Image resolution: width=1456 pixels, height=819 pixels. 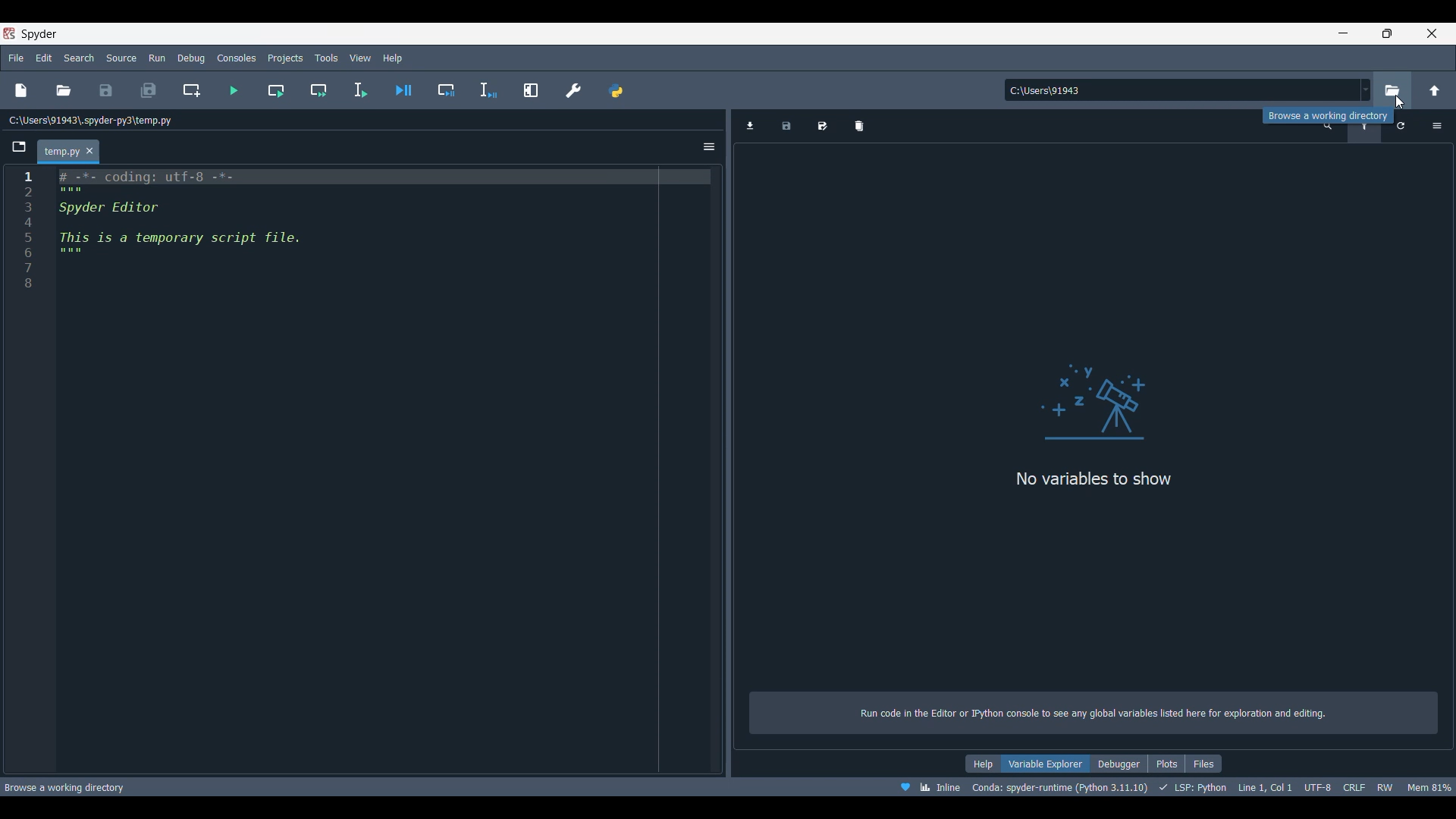 I want to click on Edit menu, so click(x=44, y=58).